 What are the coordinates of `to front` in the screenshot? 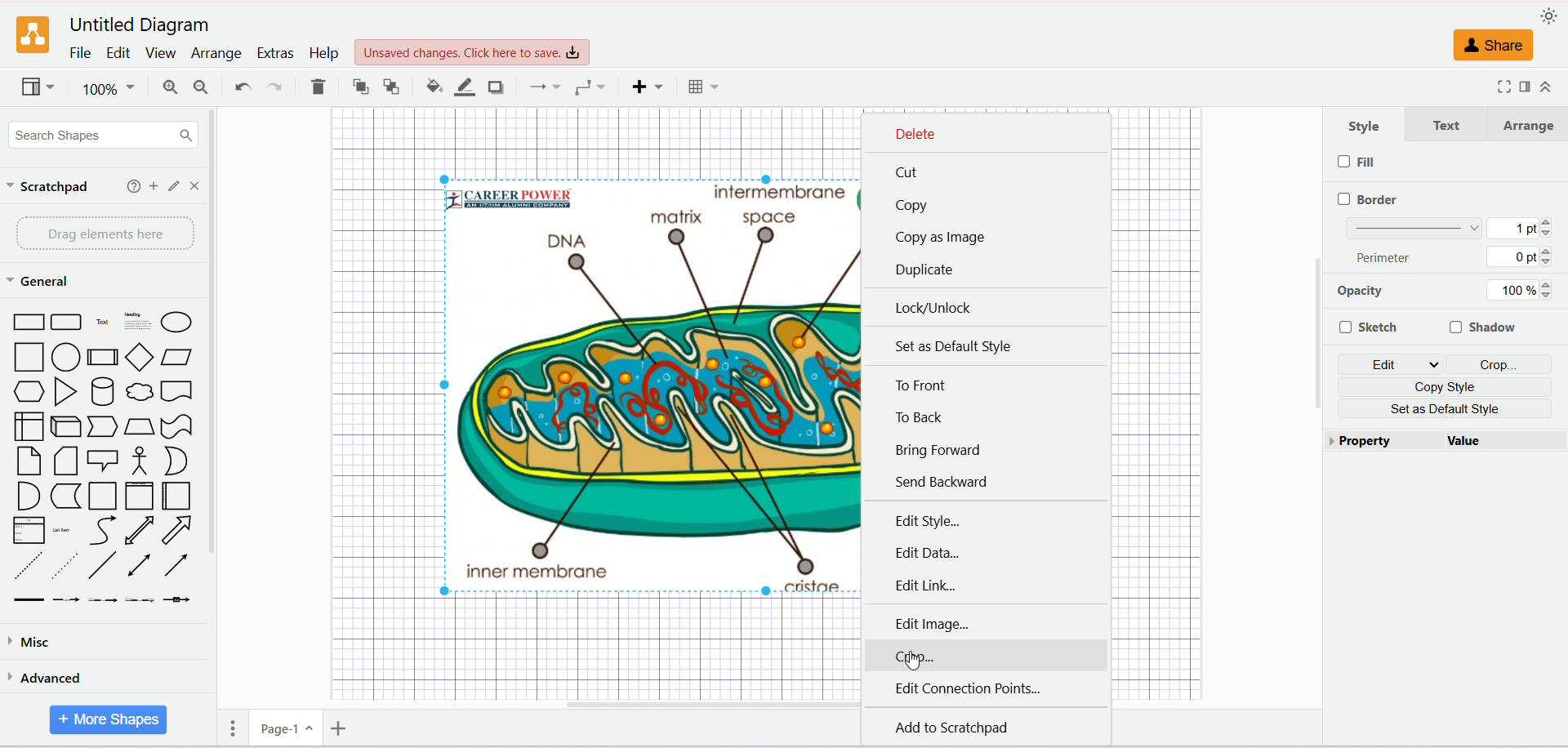 It's located at (359, 86).